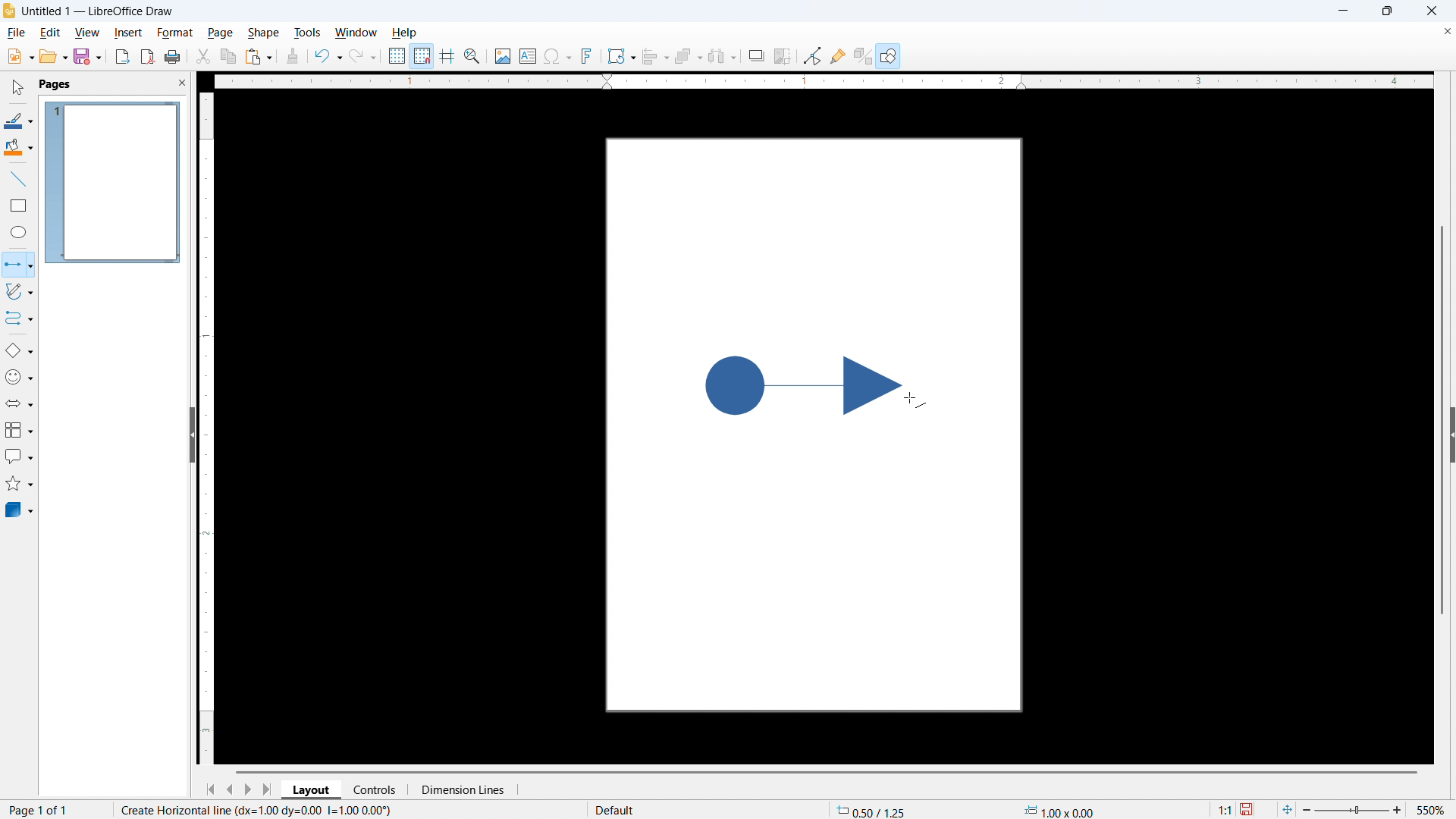  I want to click on Close document , so click(1446, 31).